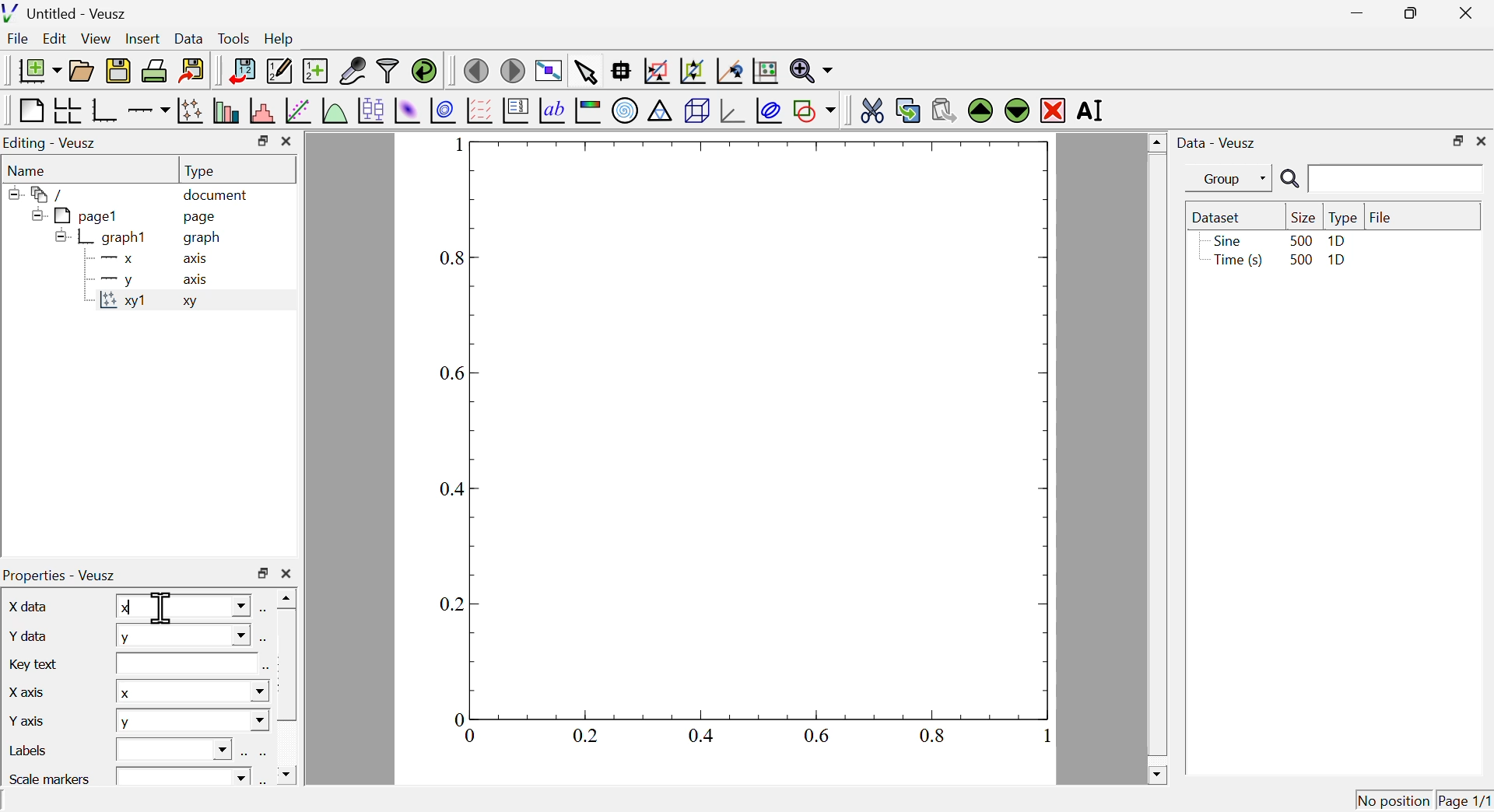 Image resolution: width=1494 pixels, height=812 pixels. Describe the element at coordinates (626, 111) in the screenshot. I see `polar graph` at that location.